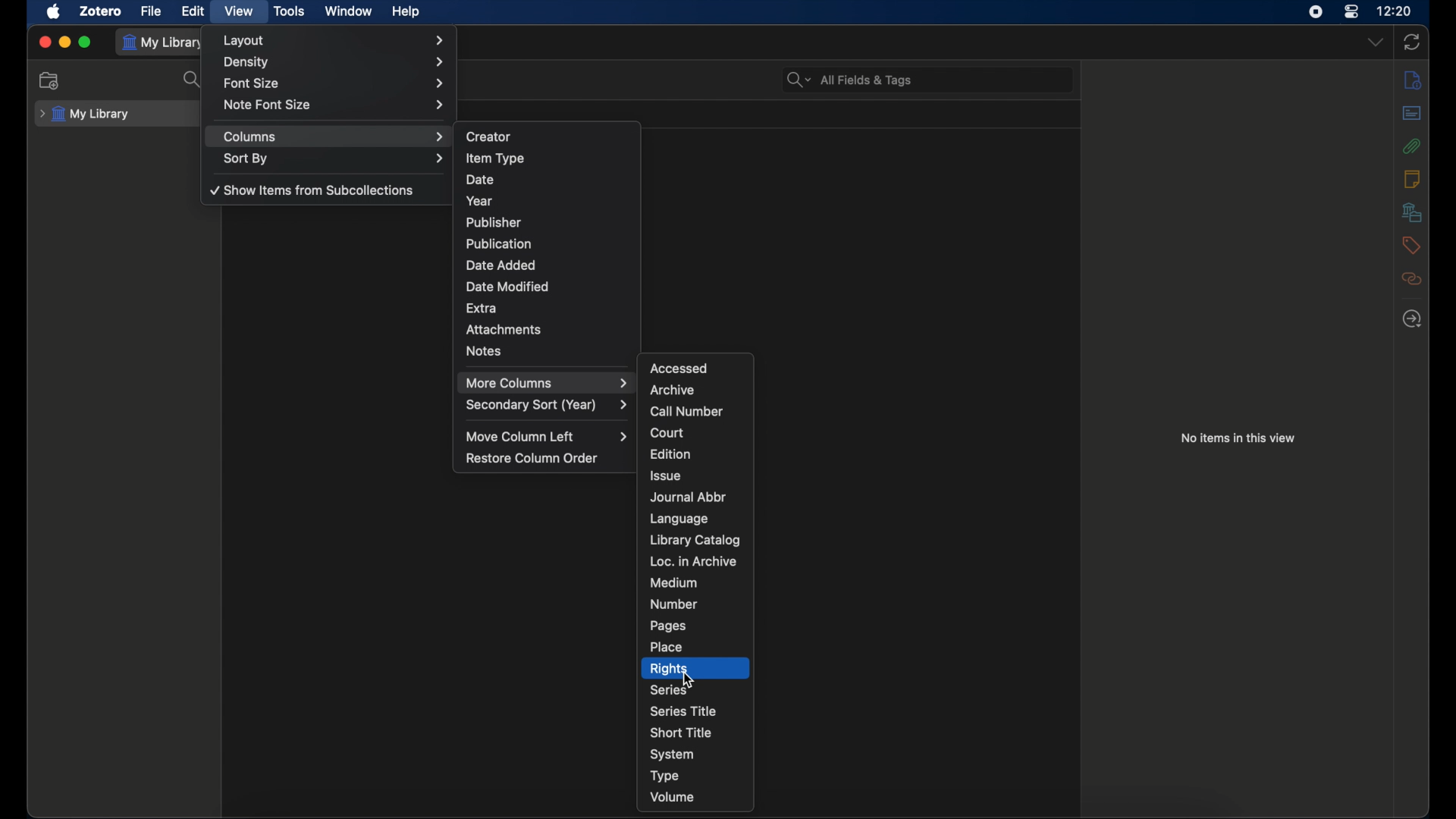 This screenshot has height=819, width=1456. Describe the element at coordinates (287, 11) in the screenshot. I see `tools` at that location.